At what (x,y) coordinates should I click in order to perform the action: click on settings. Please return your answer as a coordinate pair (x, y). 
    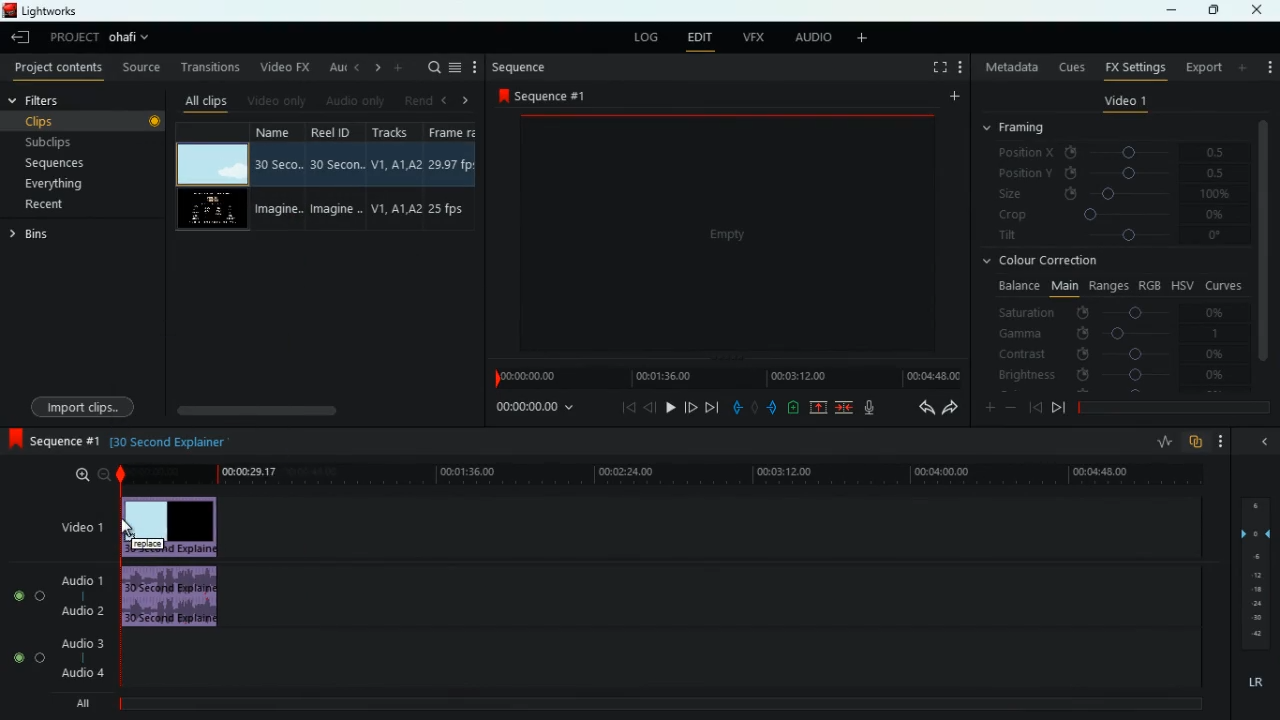
    Looking at the image, I should click on (1268, 65).